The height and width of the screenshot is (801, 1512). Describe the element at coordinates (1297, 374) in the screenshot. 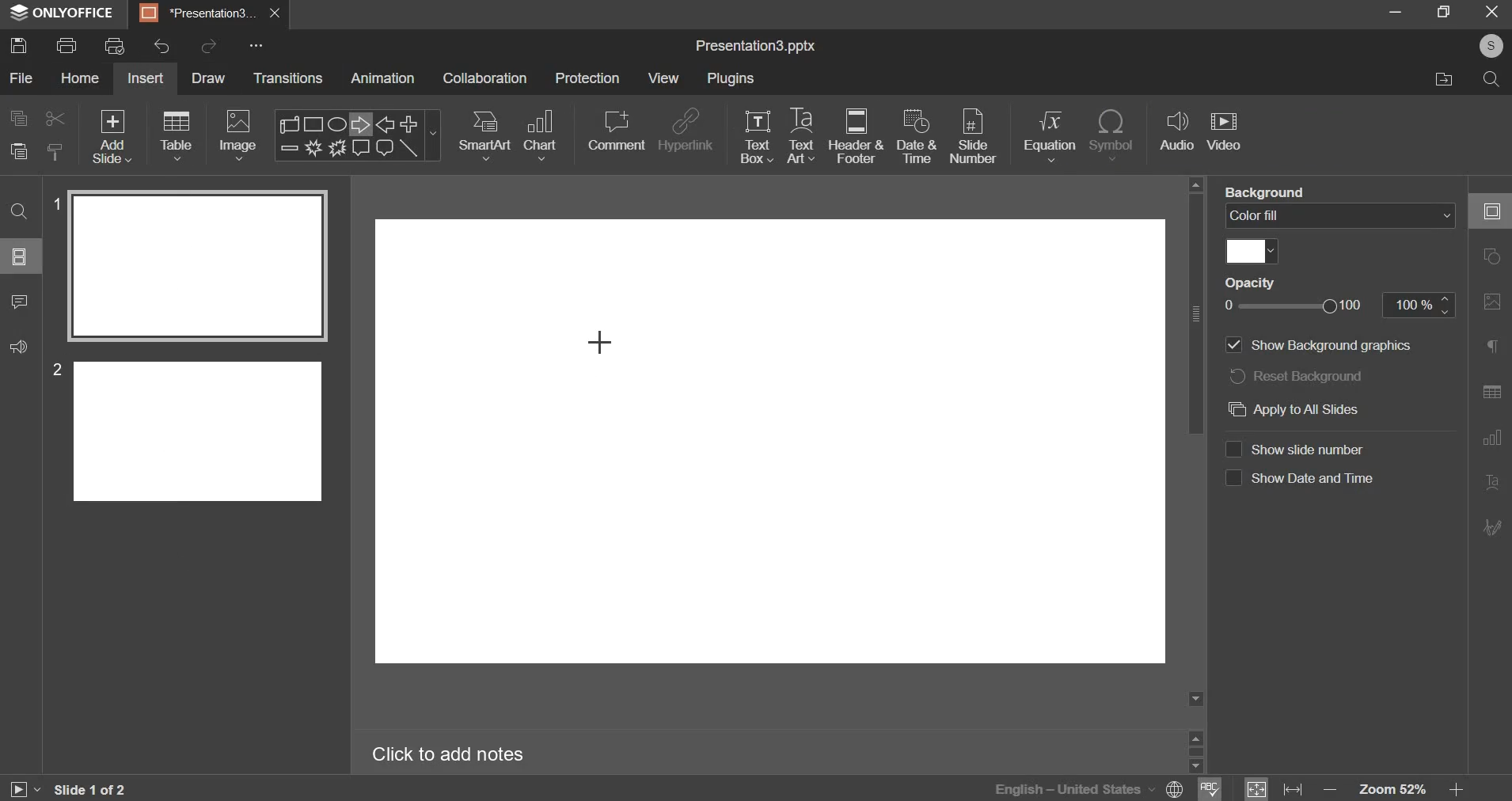

I see `restore background` at that location.